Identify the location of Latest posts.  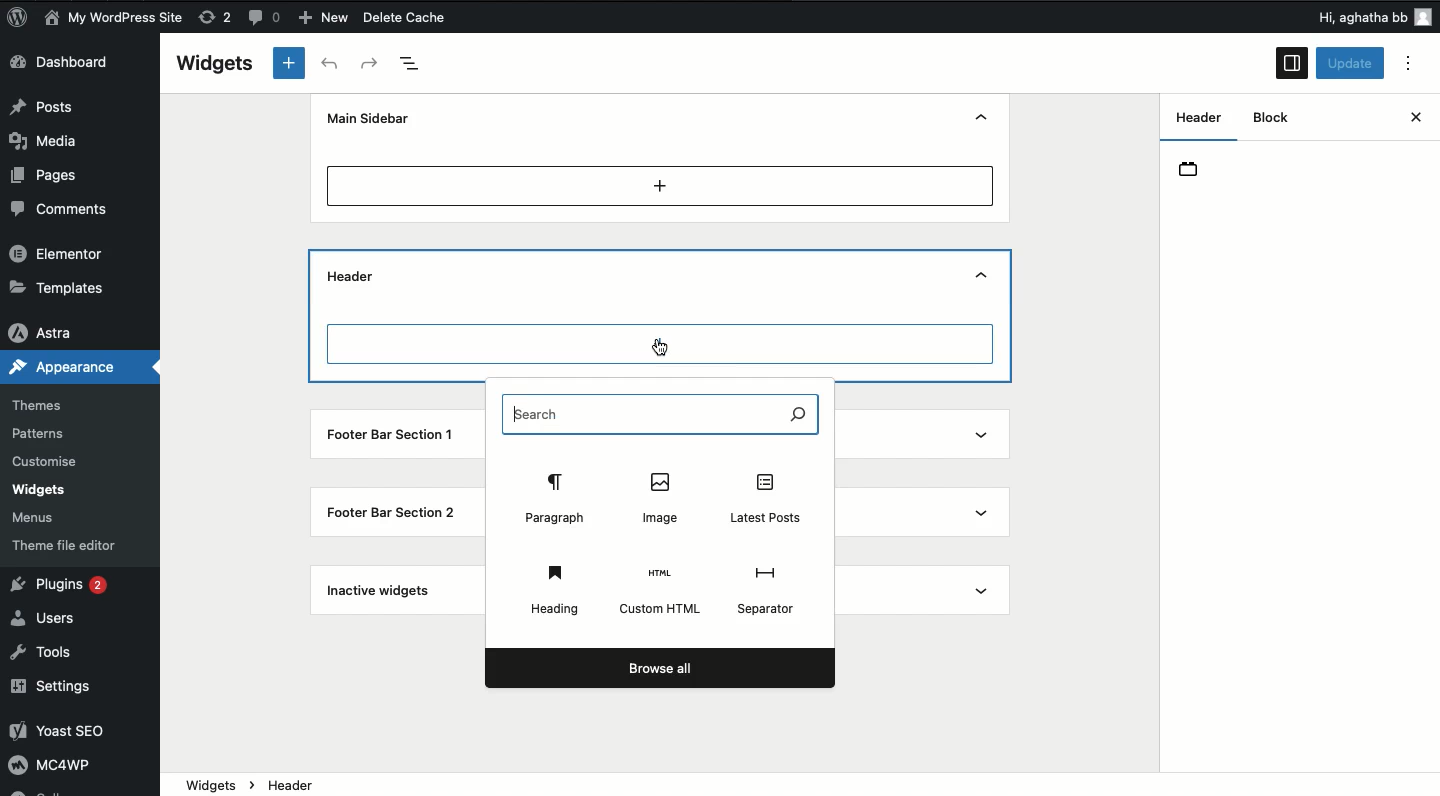
(764, 499).